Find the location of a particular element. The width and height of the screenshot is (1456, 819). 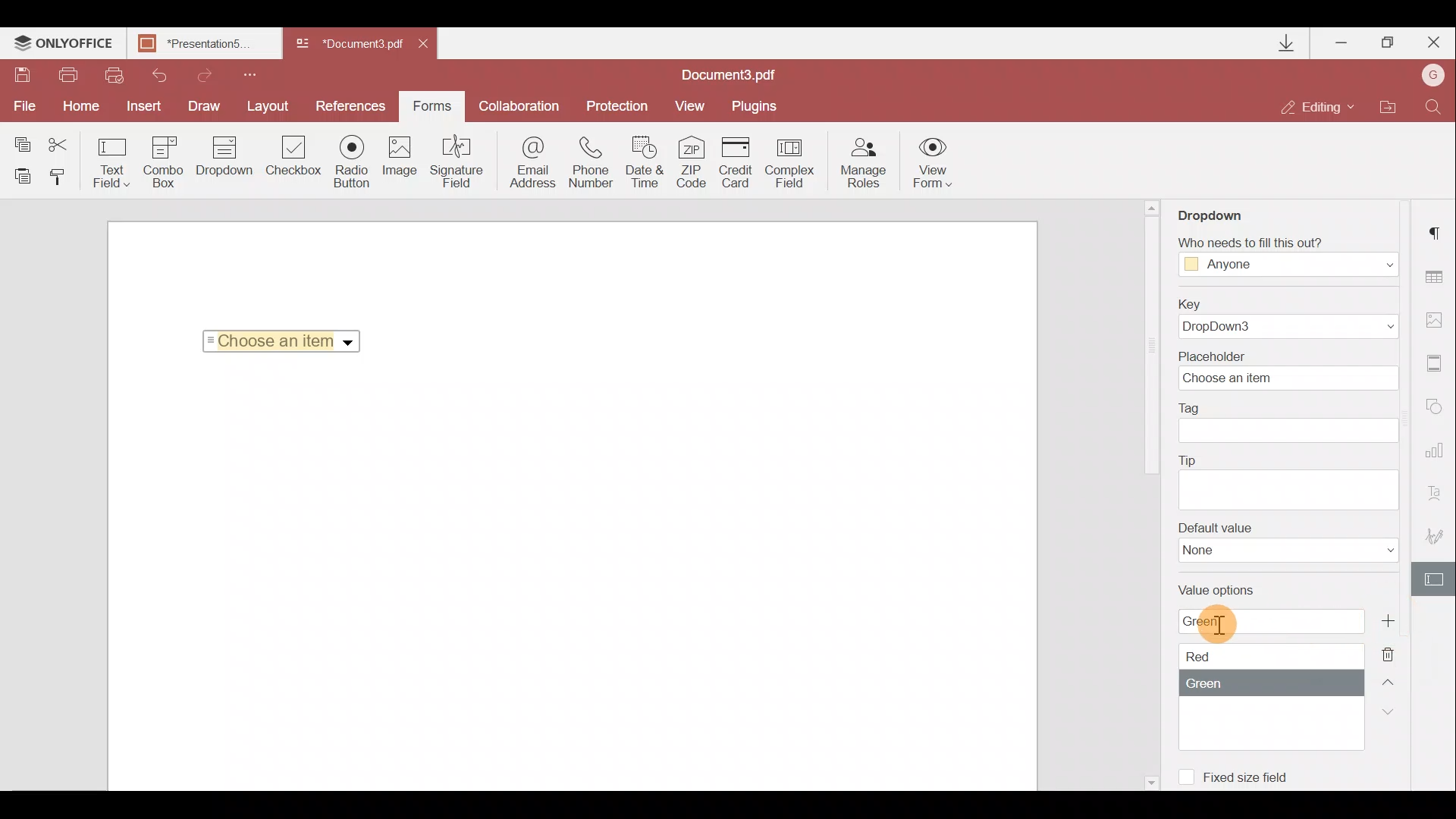

Fill Access is located at coordinates (1285, 257).